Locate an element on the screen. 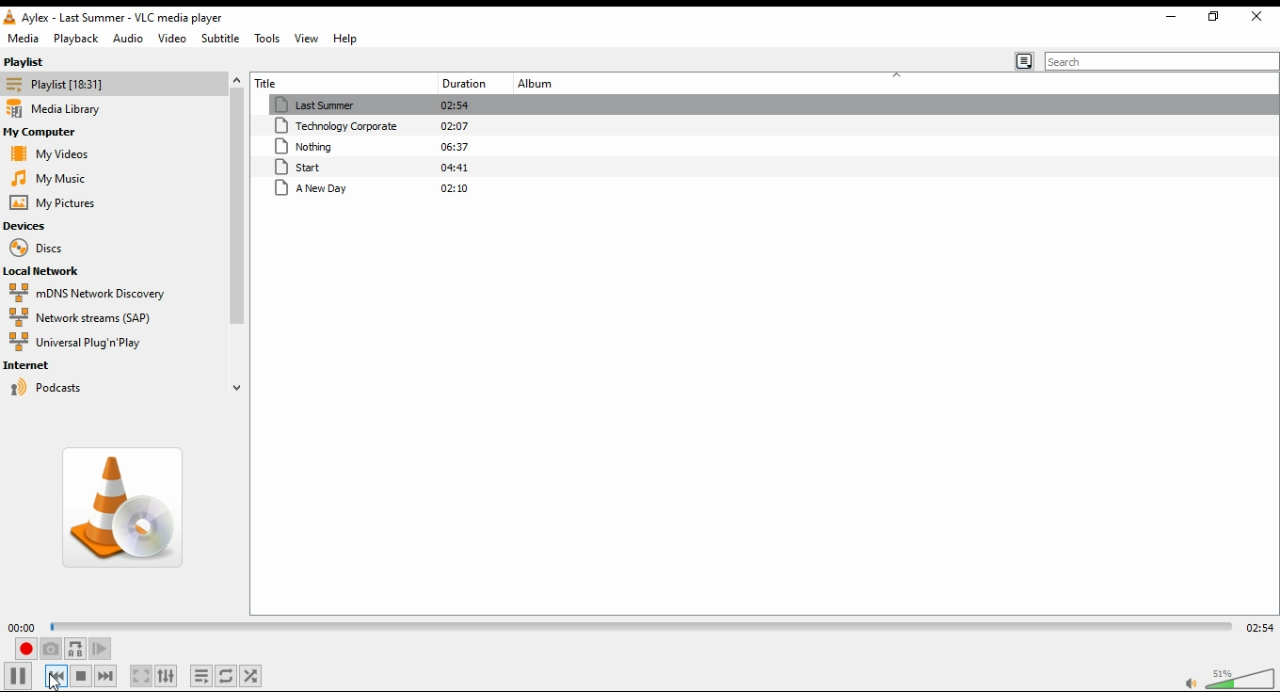 This screenshot has height=692, width=1280. 04:41 is located at coordinates (456, 167).